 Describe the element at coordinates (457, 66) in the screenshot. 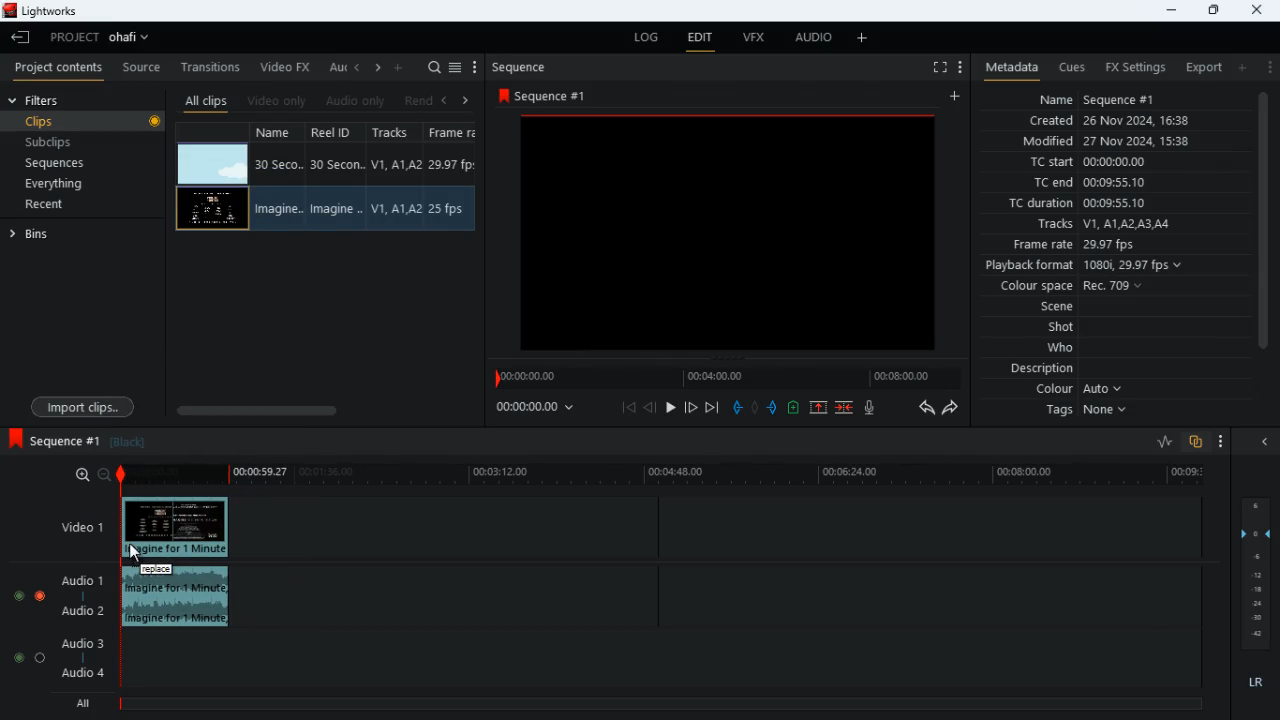

I see `select` at that location.